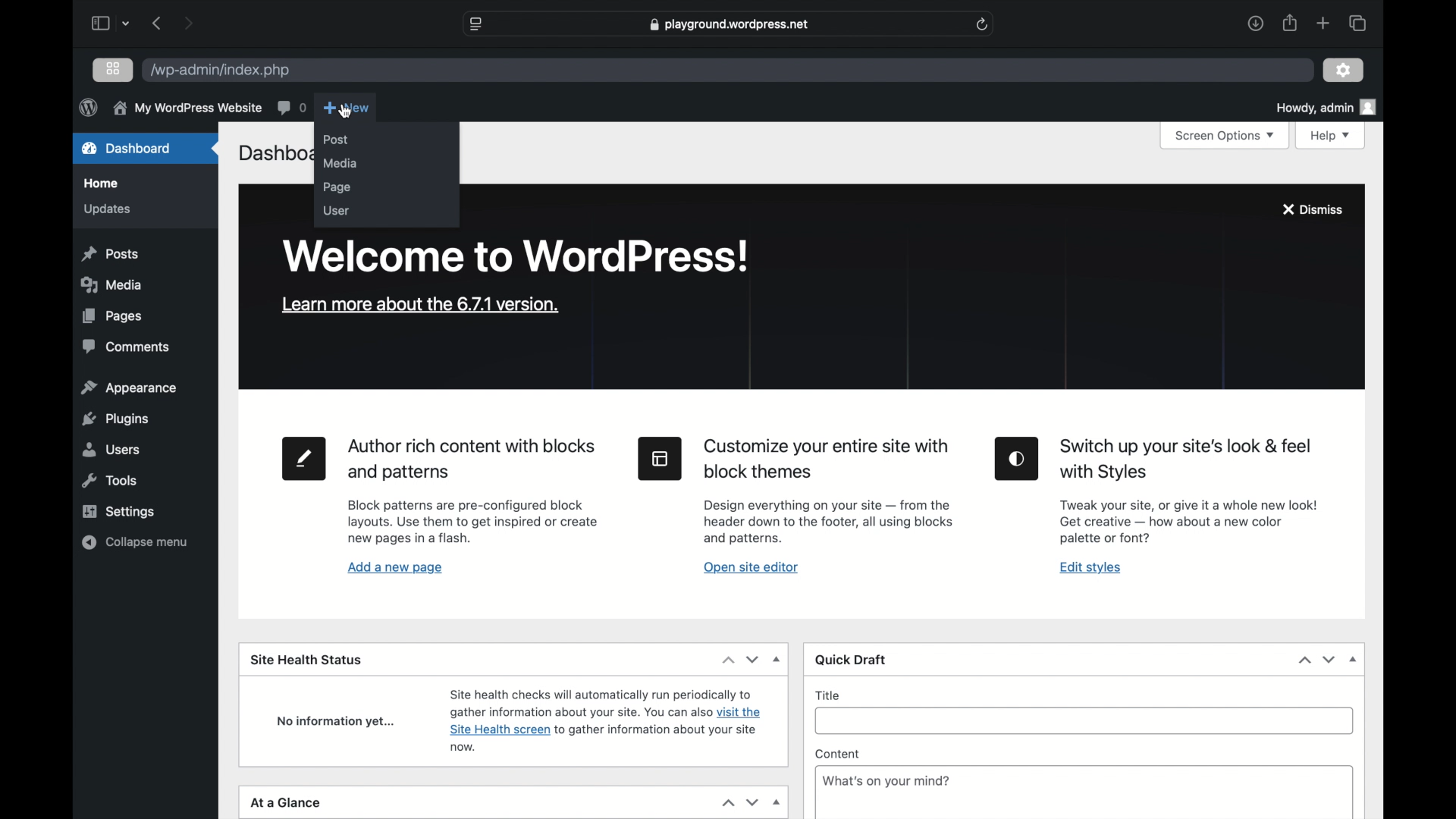 Image resolution: width=1456 pixels, height=819 pixels. What do you see at coordinates (606, 717) in the screenshot?
I see `site health check information` at bounding box center [606, 717].